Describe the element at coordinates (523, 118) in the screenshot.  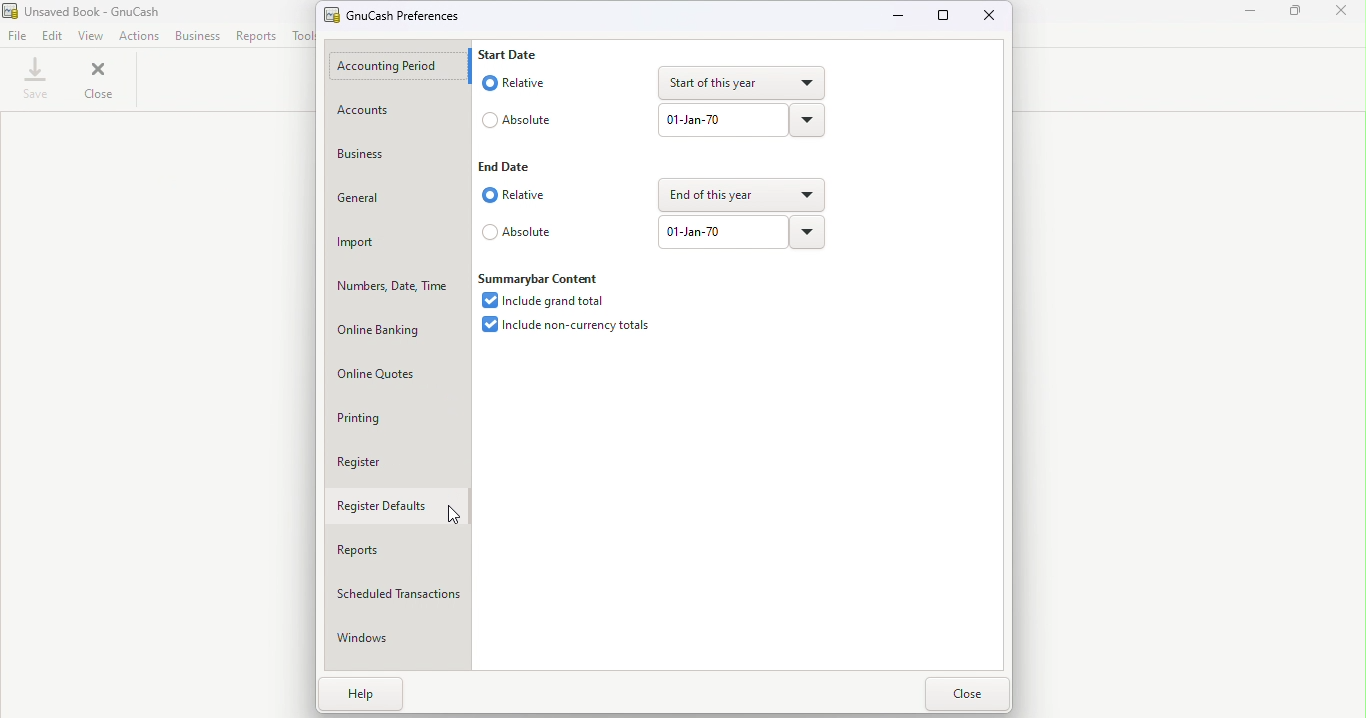
I see `Absolute` at that location.